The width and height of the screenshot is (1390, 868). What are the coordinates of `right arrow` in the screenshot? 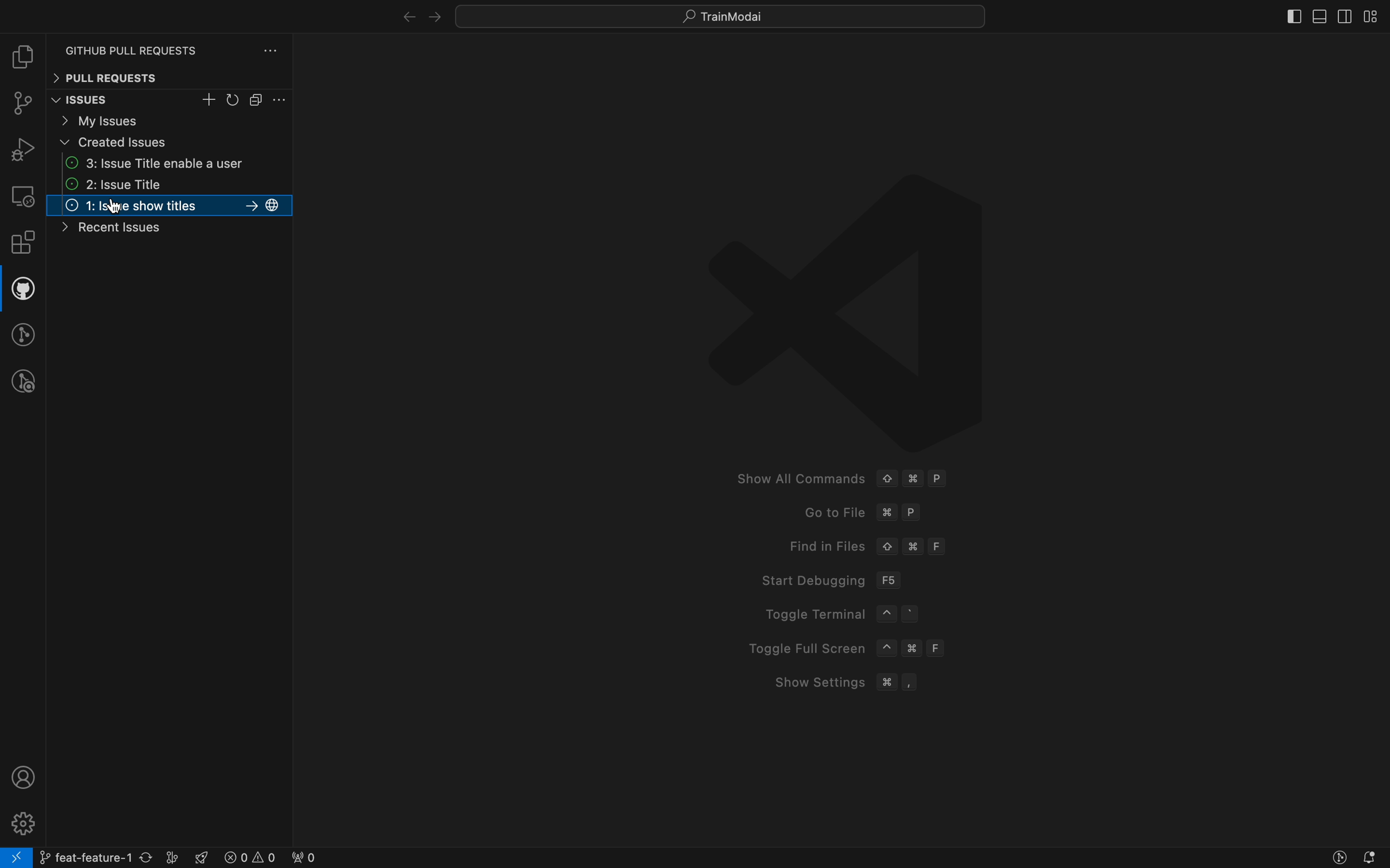 It's located at (403, 14).